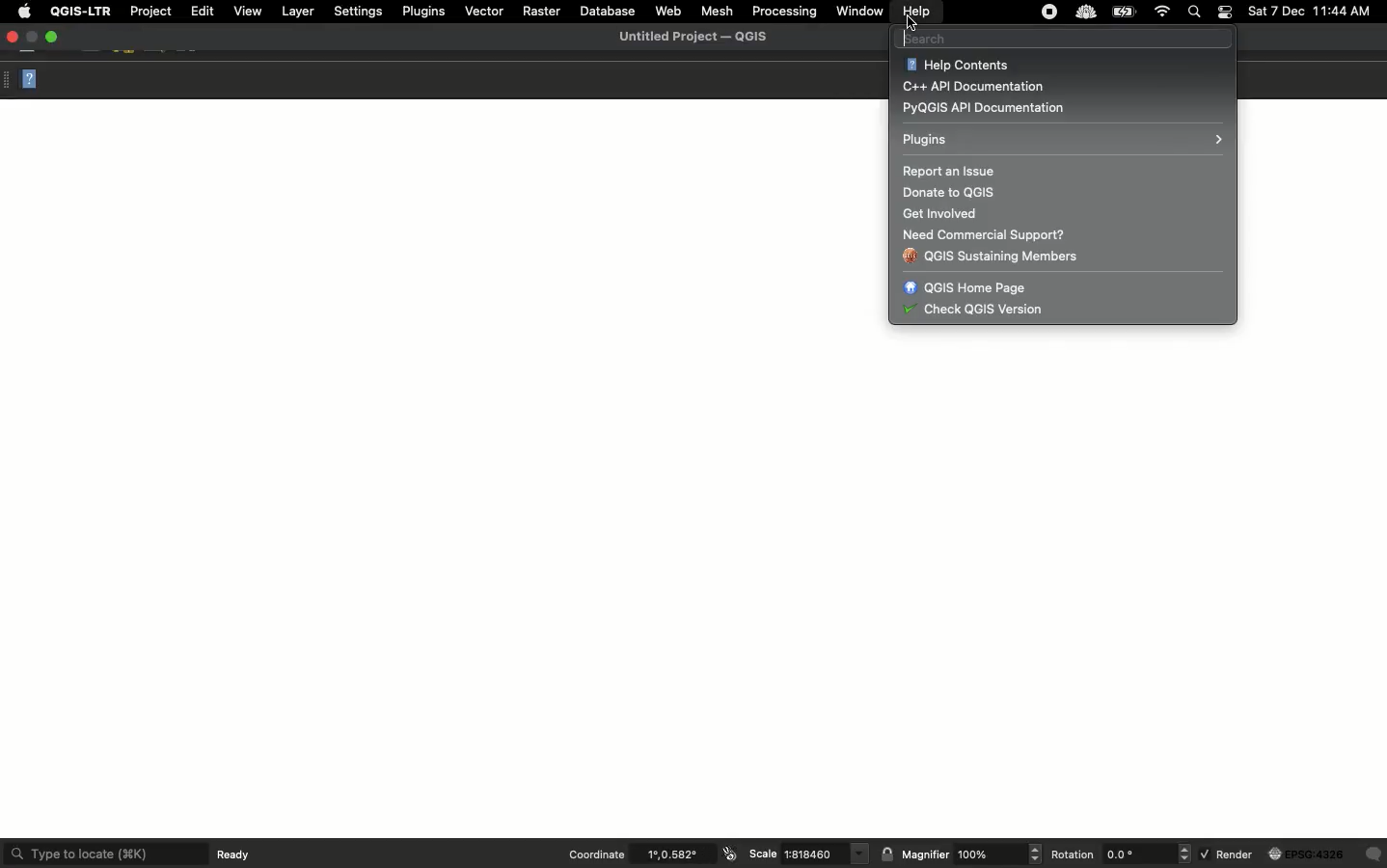  Describe the element at coordinates (970, 289) in the screenshot. I see `QGIS` at that location.